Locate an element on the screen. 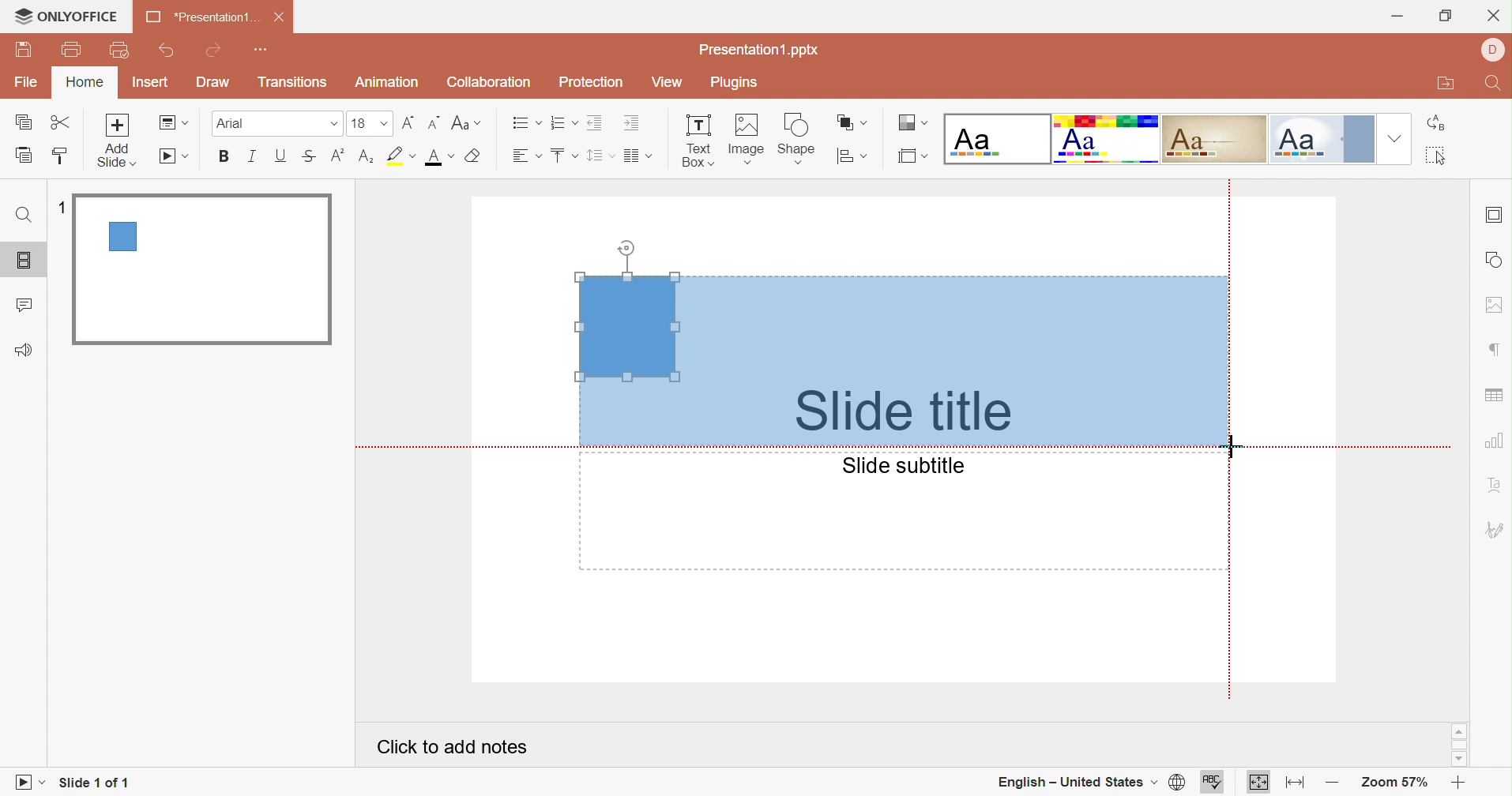 Image resolution: width=1512 pixels, height=796 pixels. Slide 1 of 1 is located at coordinates (94, 782).